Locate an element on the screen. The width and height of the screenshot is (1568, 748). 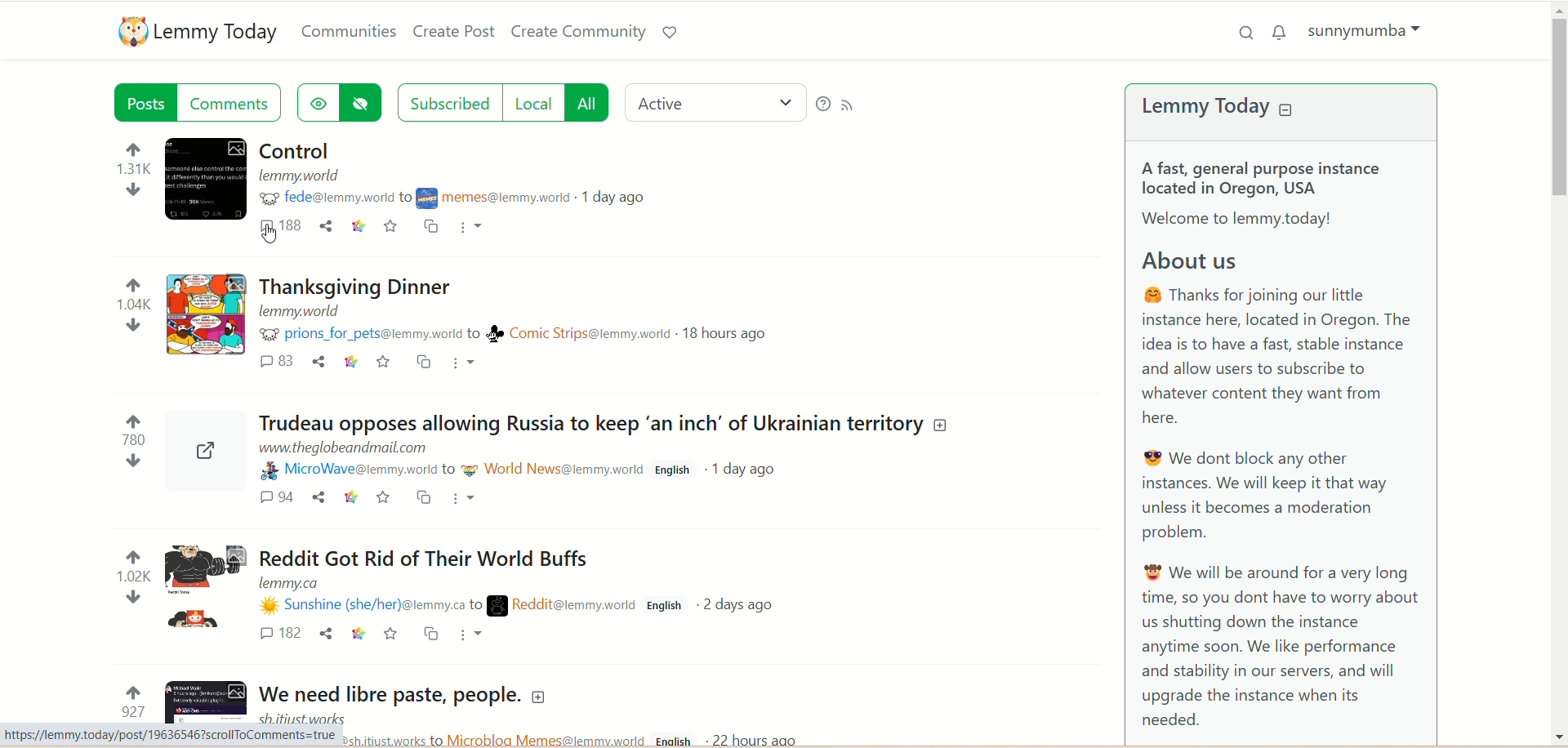
active is located at coordinates (716, 100).